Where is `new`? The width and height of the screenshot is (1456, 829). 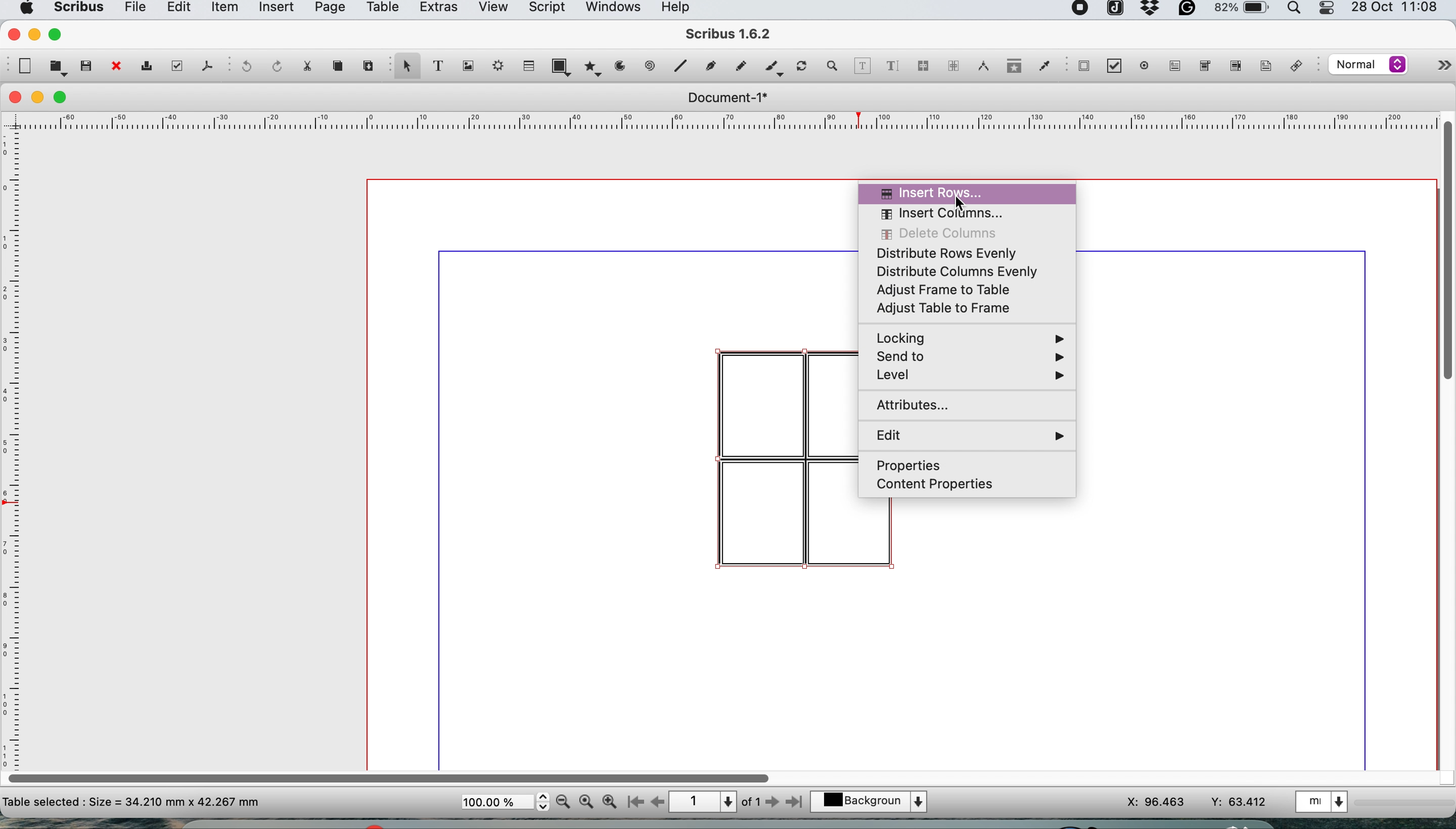 new is located at coordinates (23, 66).